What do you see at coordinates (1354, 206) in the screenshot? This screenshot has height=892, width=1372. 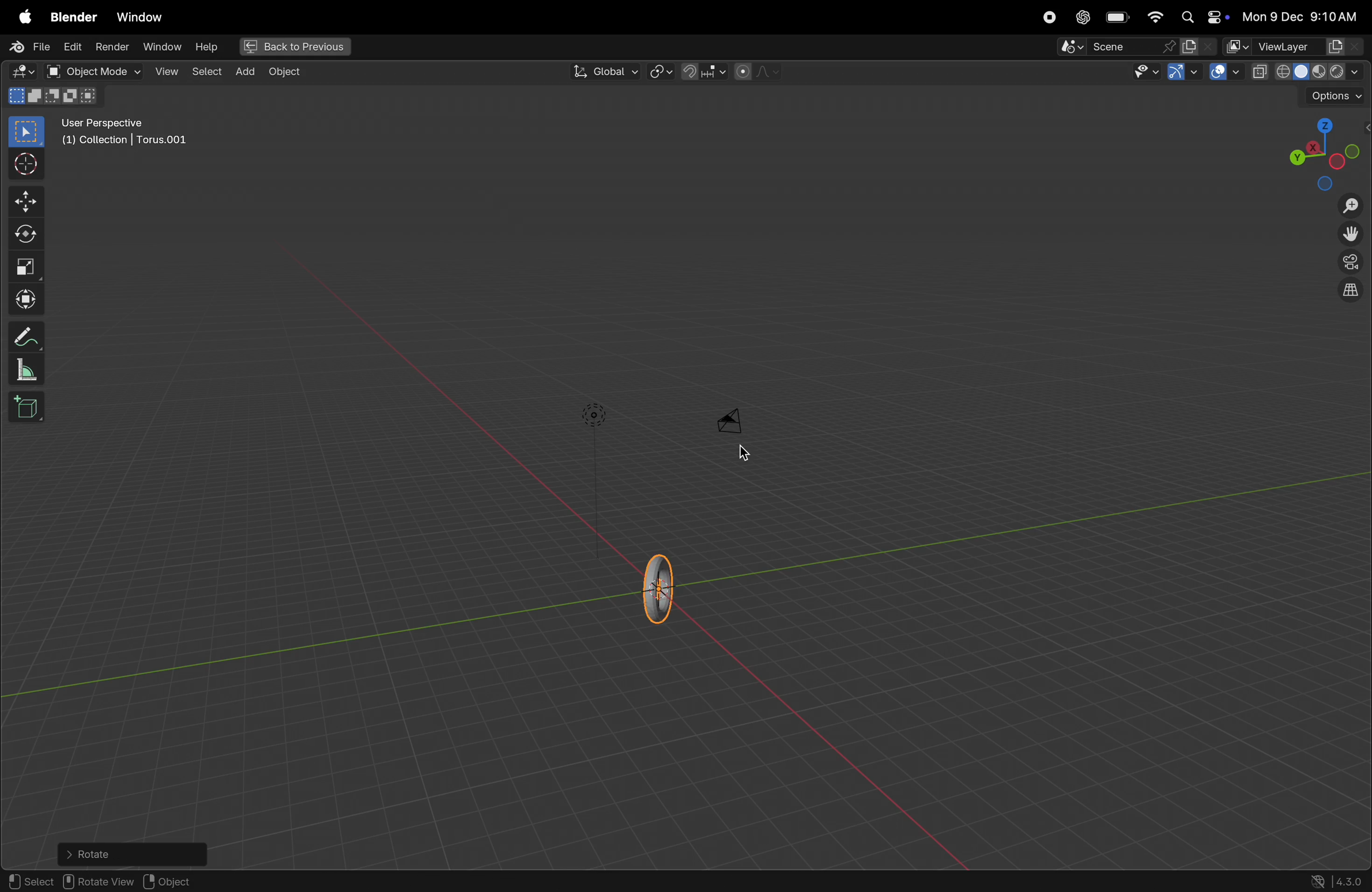 I see `zoom in zoom out` at bounding box center [1354, 206].